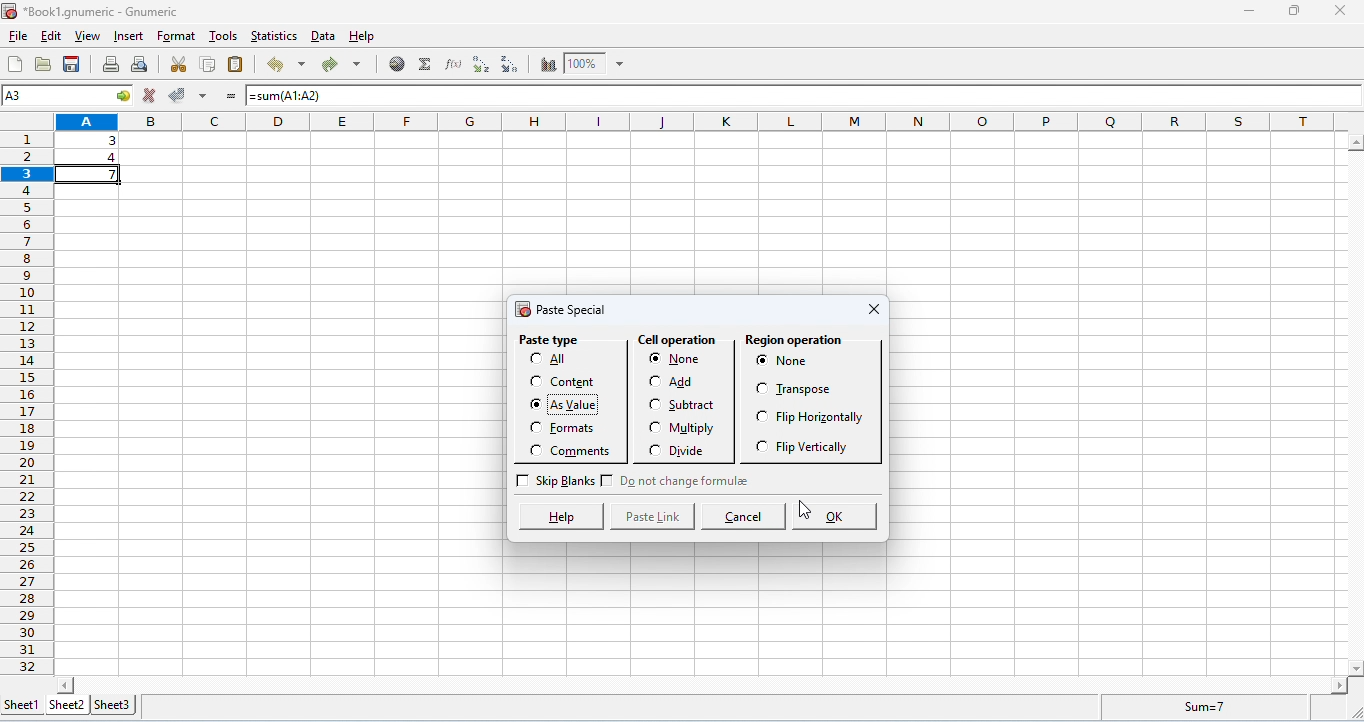  I want to click on Checkbox, so click(532, 360).